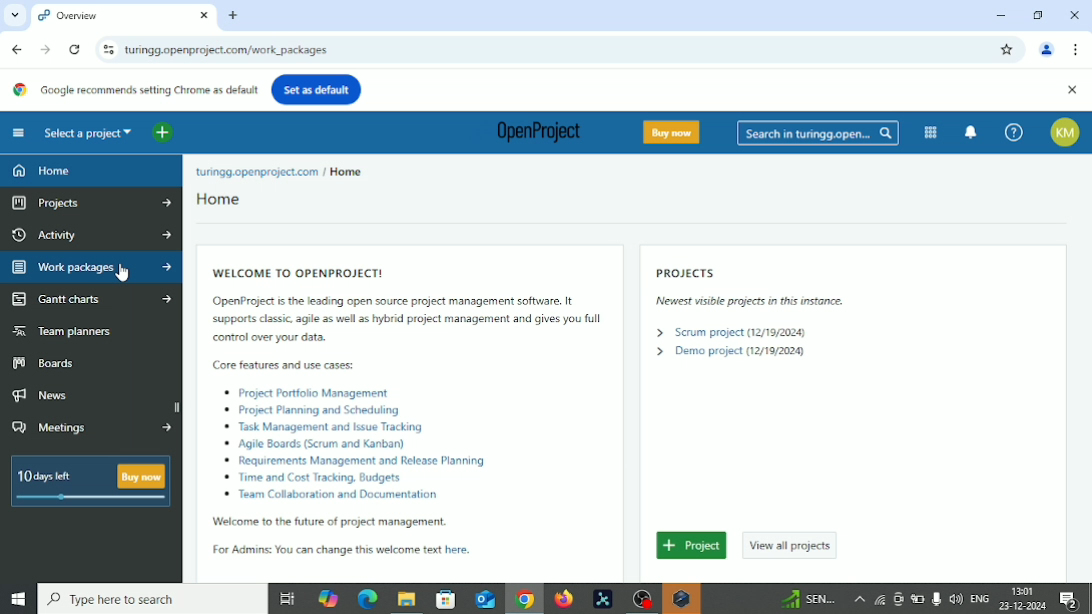  I want to click on Collapse project menu, so click(19, 133).